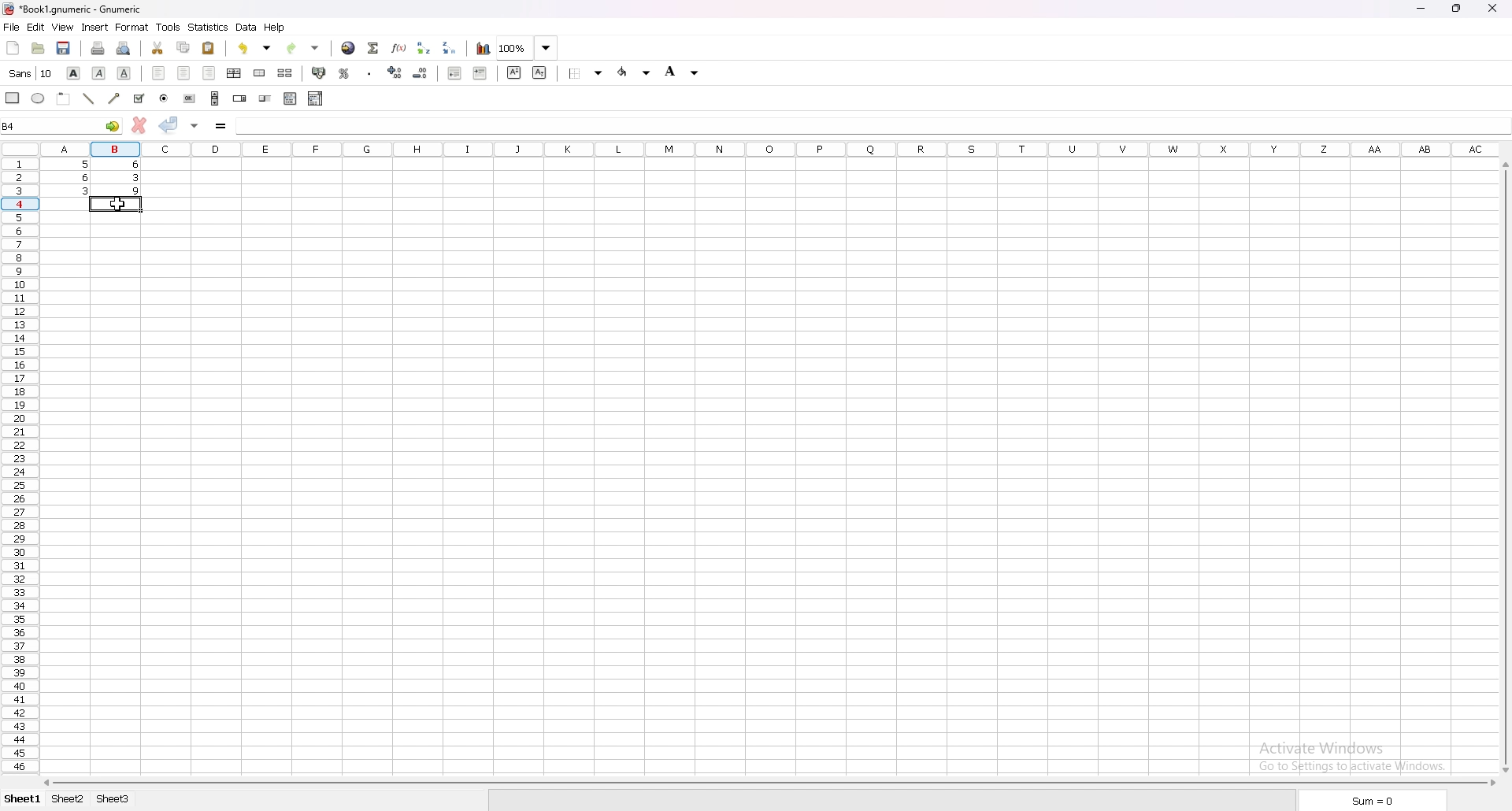  Describe the element at coordinates (211, 74) in the screenshot. I see `align right` at that location.